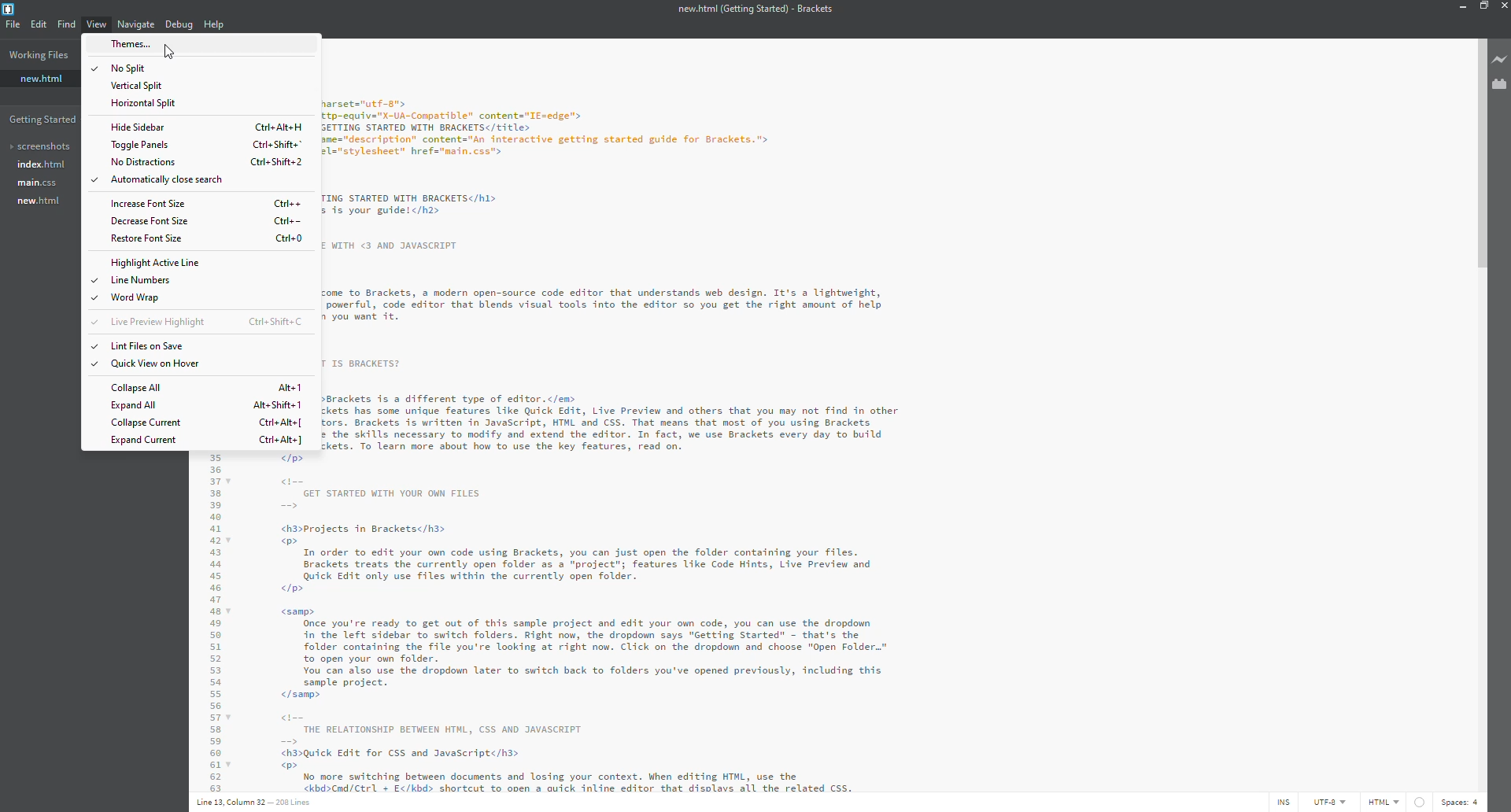 Image resolution: width=1511 pixels, height=812 pixels. Describe the element at coordinates (1397, 802) in the screenshot. I see `html` at that location.